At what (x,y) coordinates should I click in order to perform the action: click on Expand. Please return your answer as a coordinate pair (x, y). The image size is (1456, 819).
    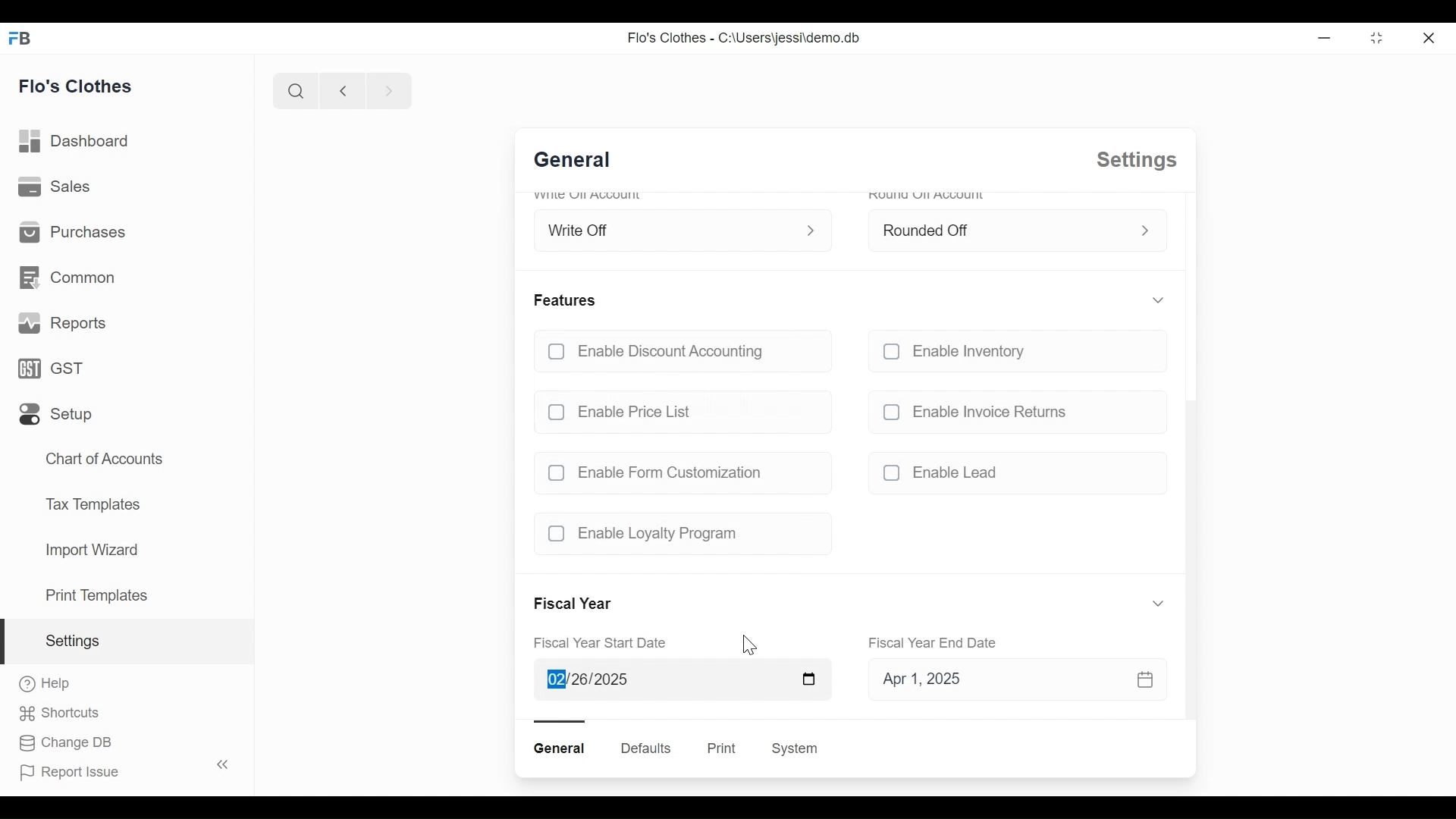
    Looking at the image, I should click on (1145, 231).